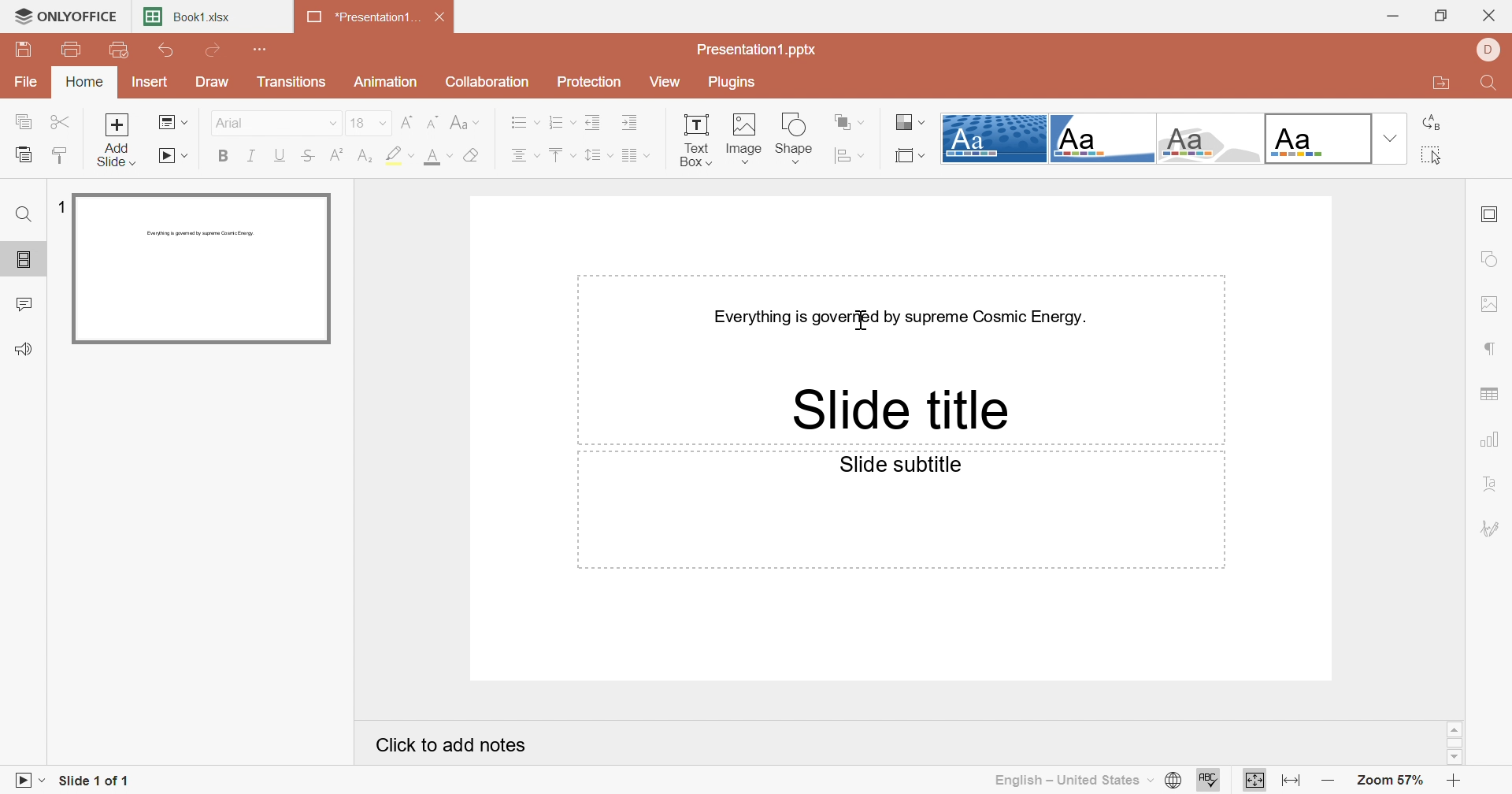  What do you see at coordinates (1492, 484) in the screenshot?
I see `Text art settings` at bounding box center [1492, 484].